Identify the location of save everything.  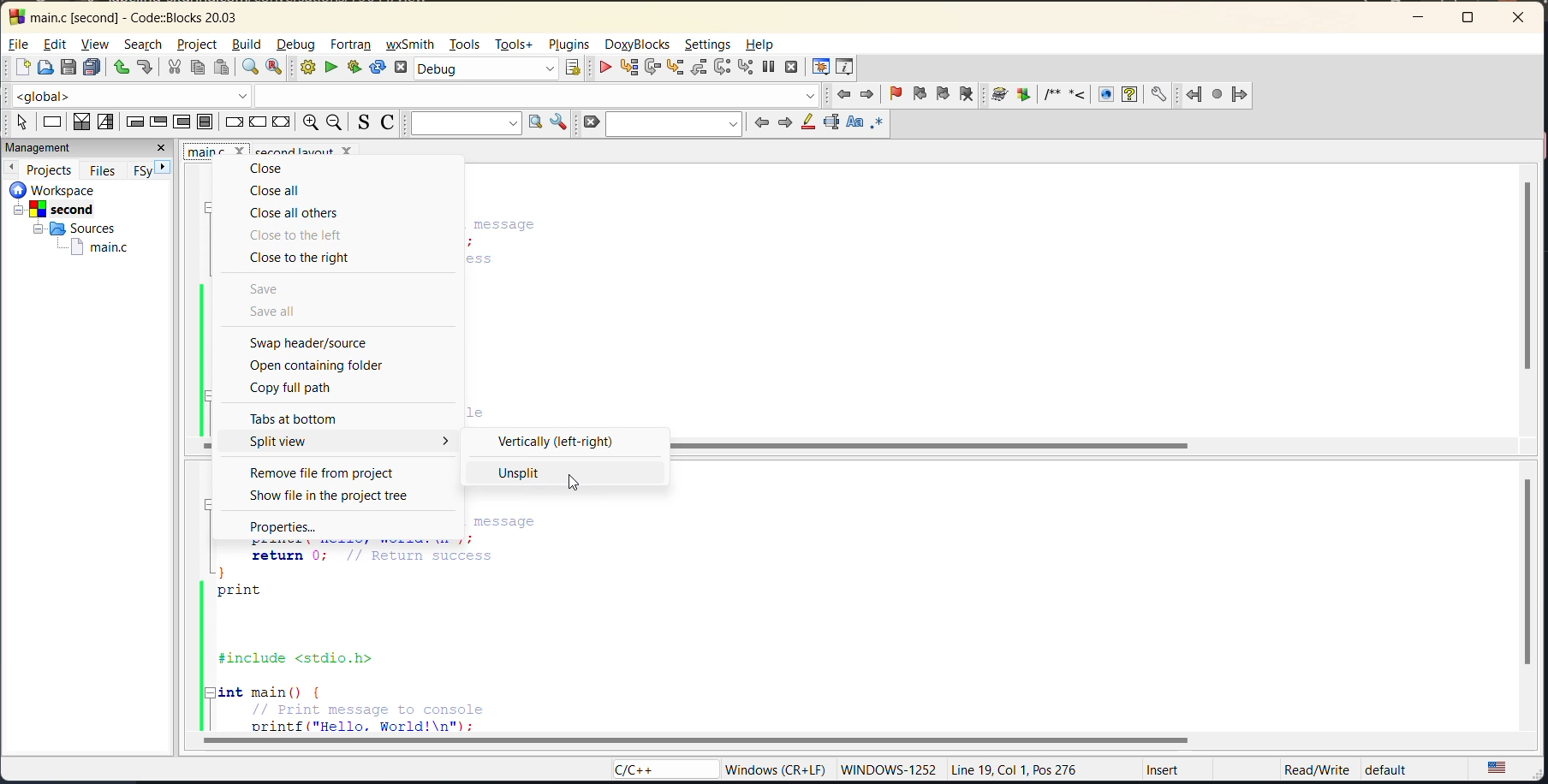
(90, 68).